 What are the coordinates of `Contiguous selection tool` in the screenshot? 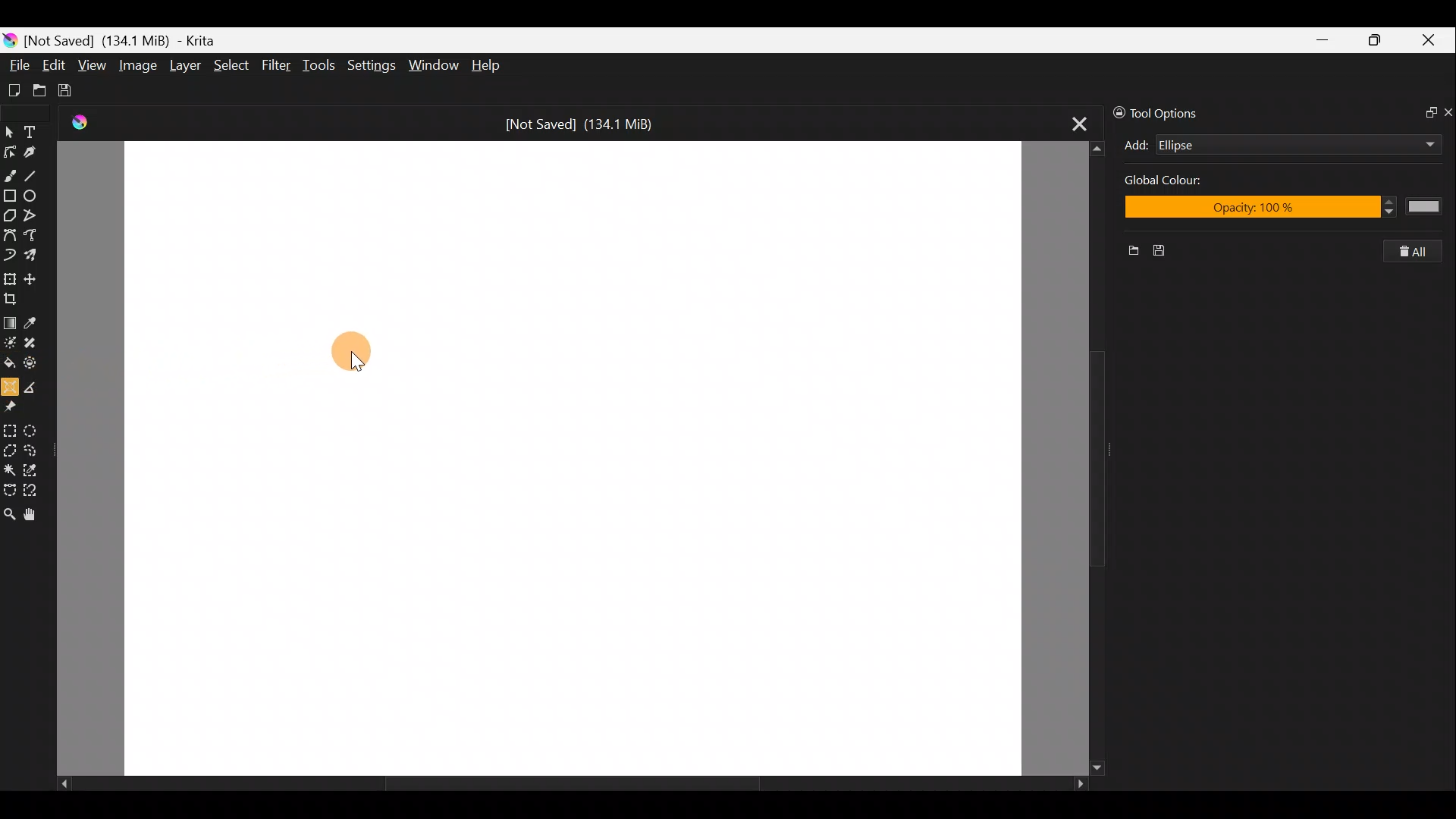 It's located at (10, 468).